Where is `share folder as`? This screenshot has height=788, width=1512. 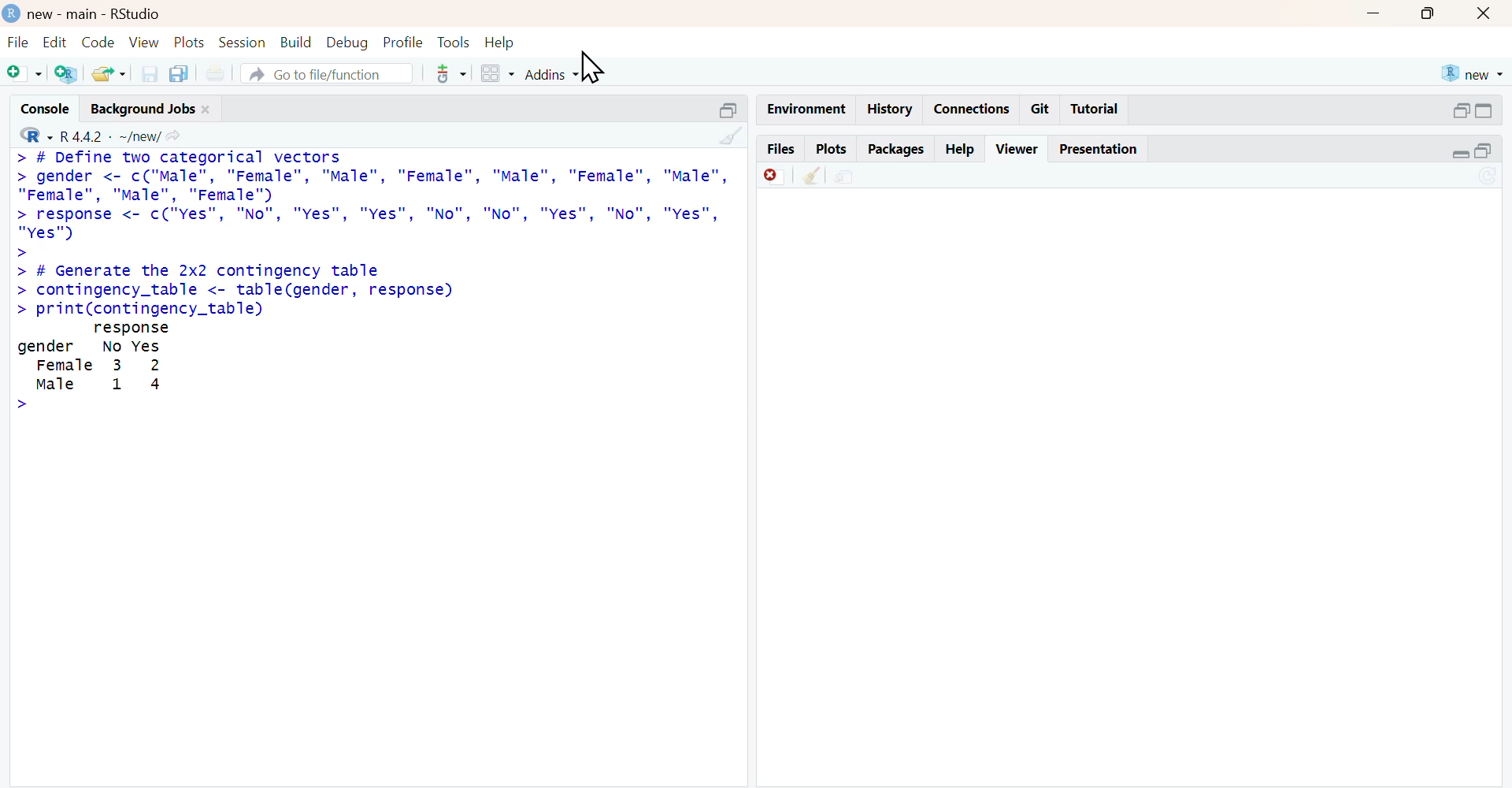
share folder as is located at coordinates (109, 73).